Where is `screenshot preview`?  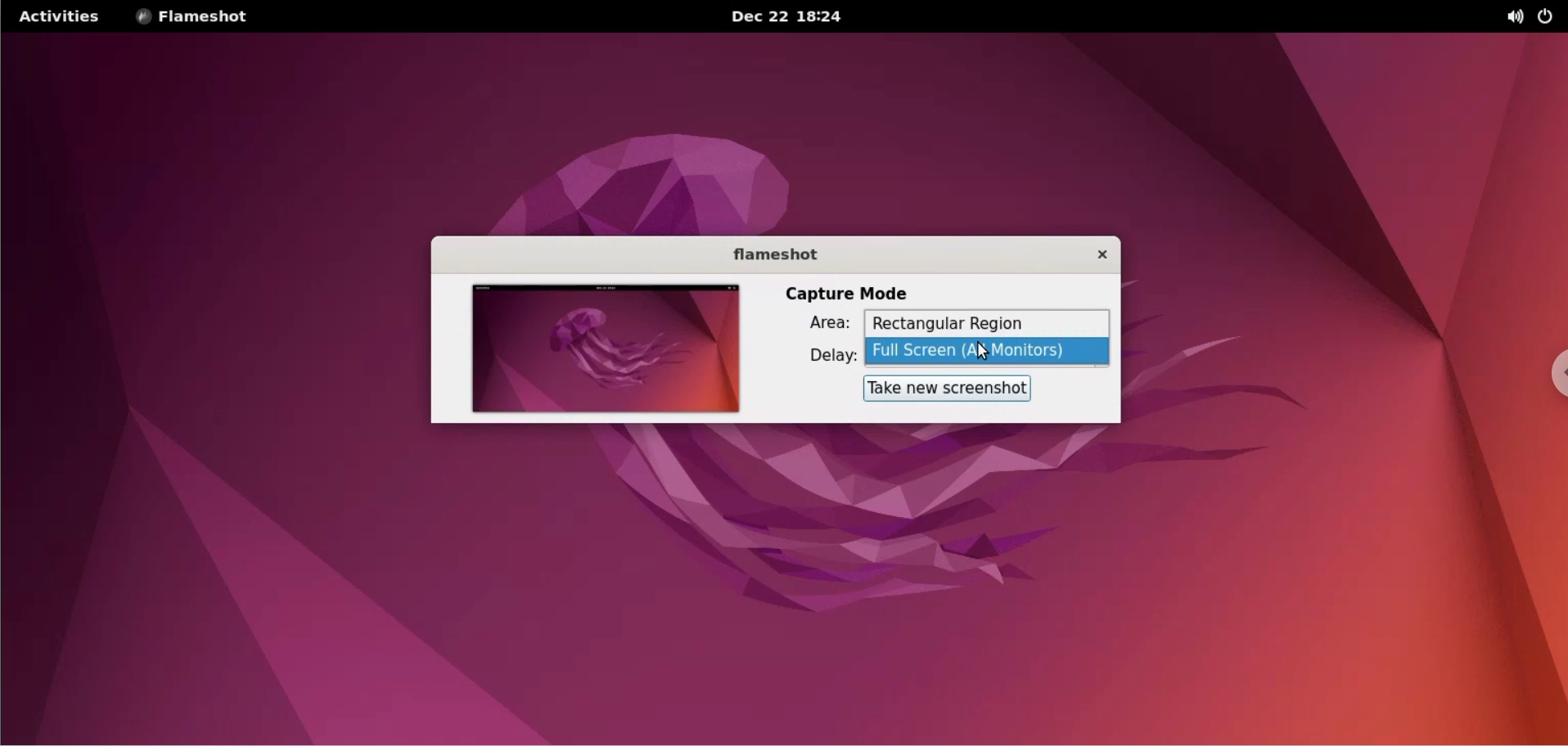 screenshot preview is located at coordinates (606, 347).